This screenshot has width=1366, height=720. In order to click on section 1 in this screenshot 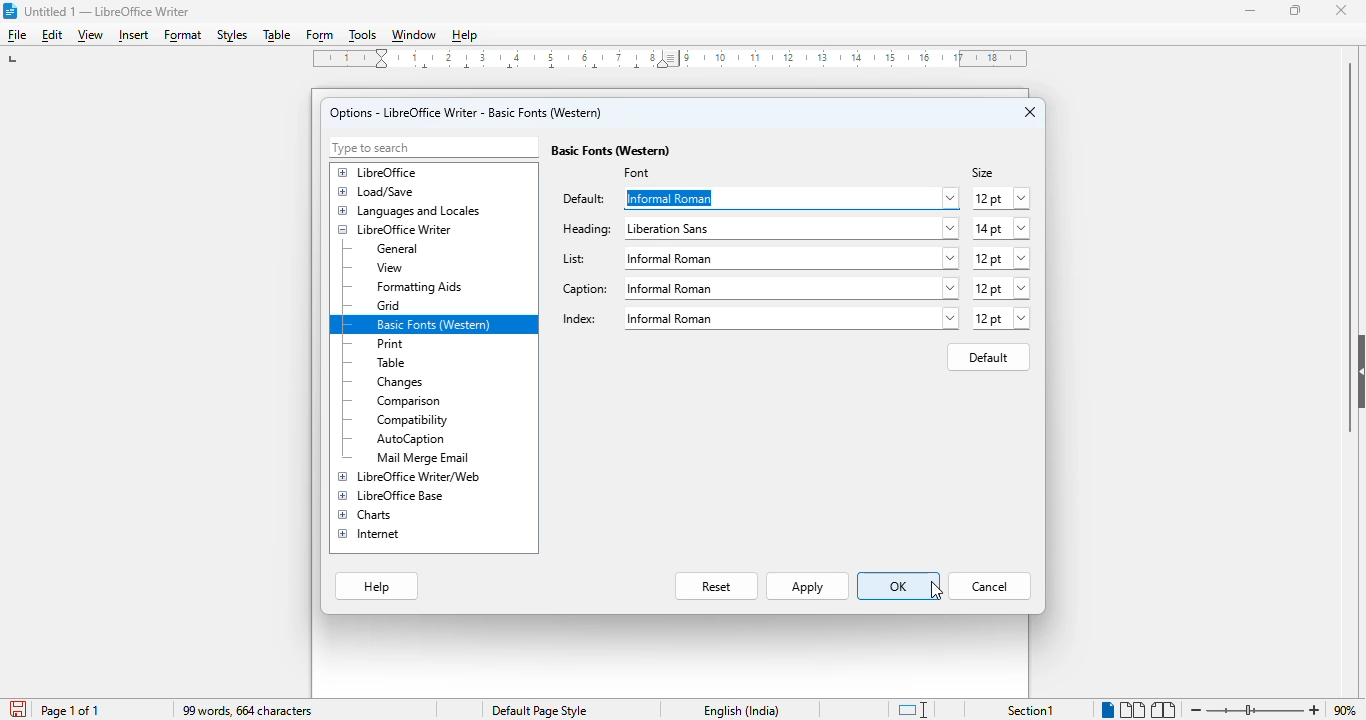, I will do `click(1031, 711)`.